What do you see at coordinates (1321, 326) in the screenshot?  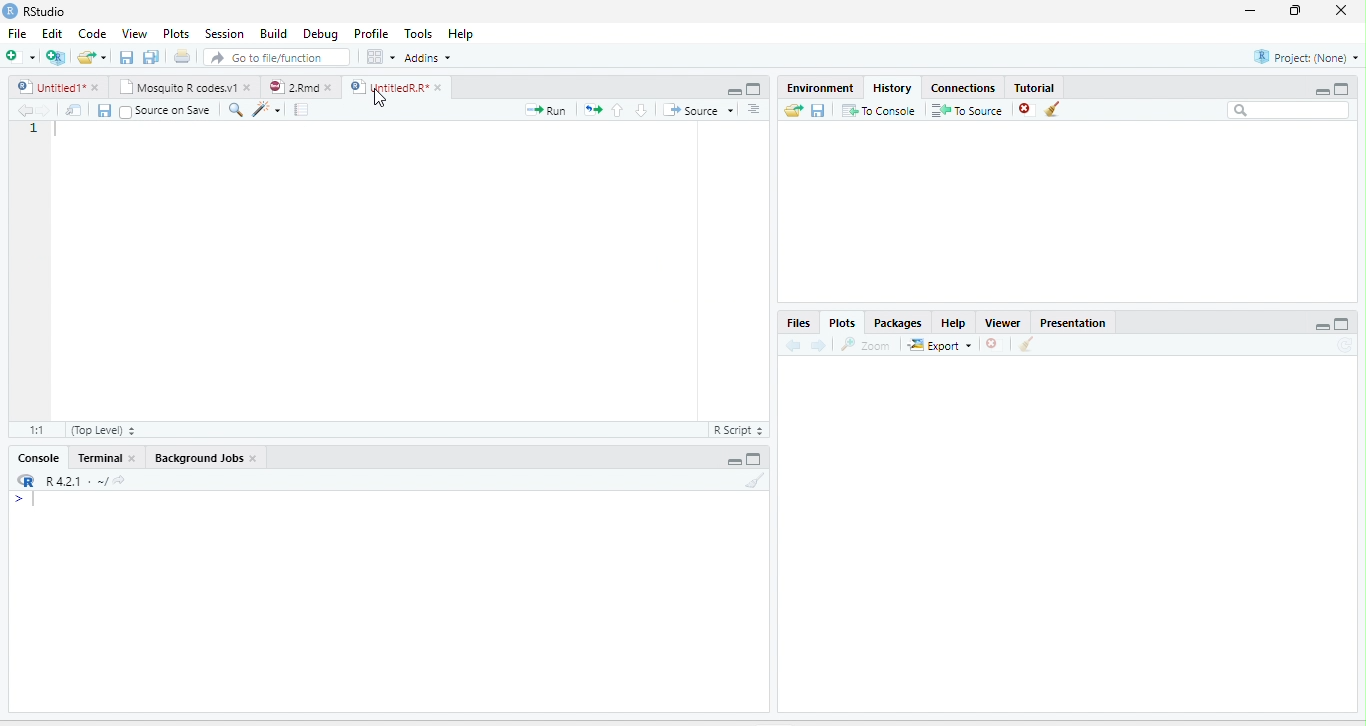 I see `Minimize` at bounding box center [1321, 326].